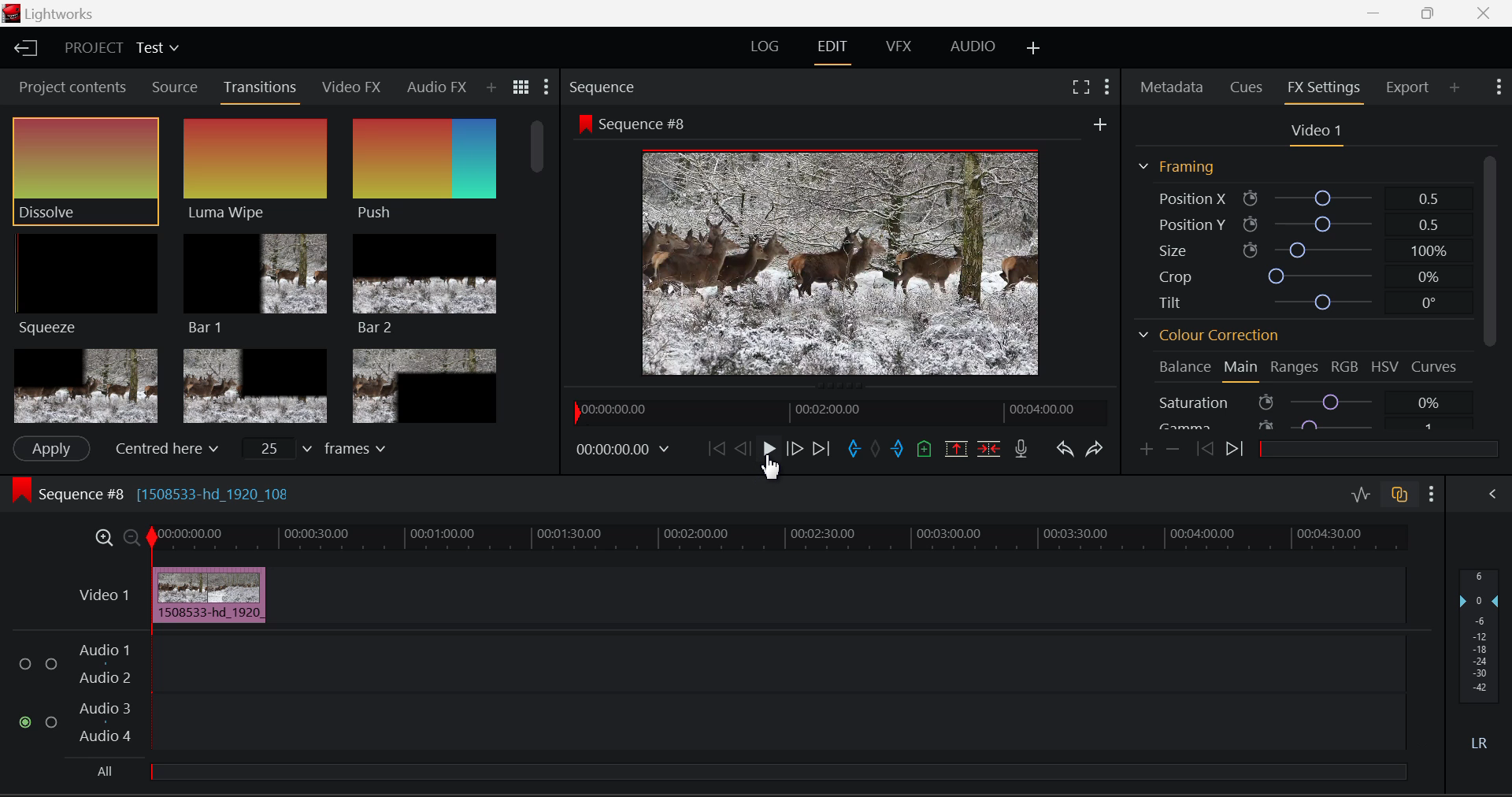 The height and width of the screenshot is (797, 1512). I want to click on Project Title, so click(120, 46).